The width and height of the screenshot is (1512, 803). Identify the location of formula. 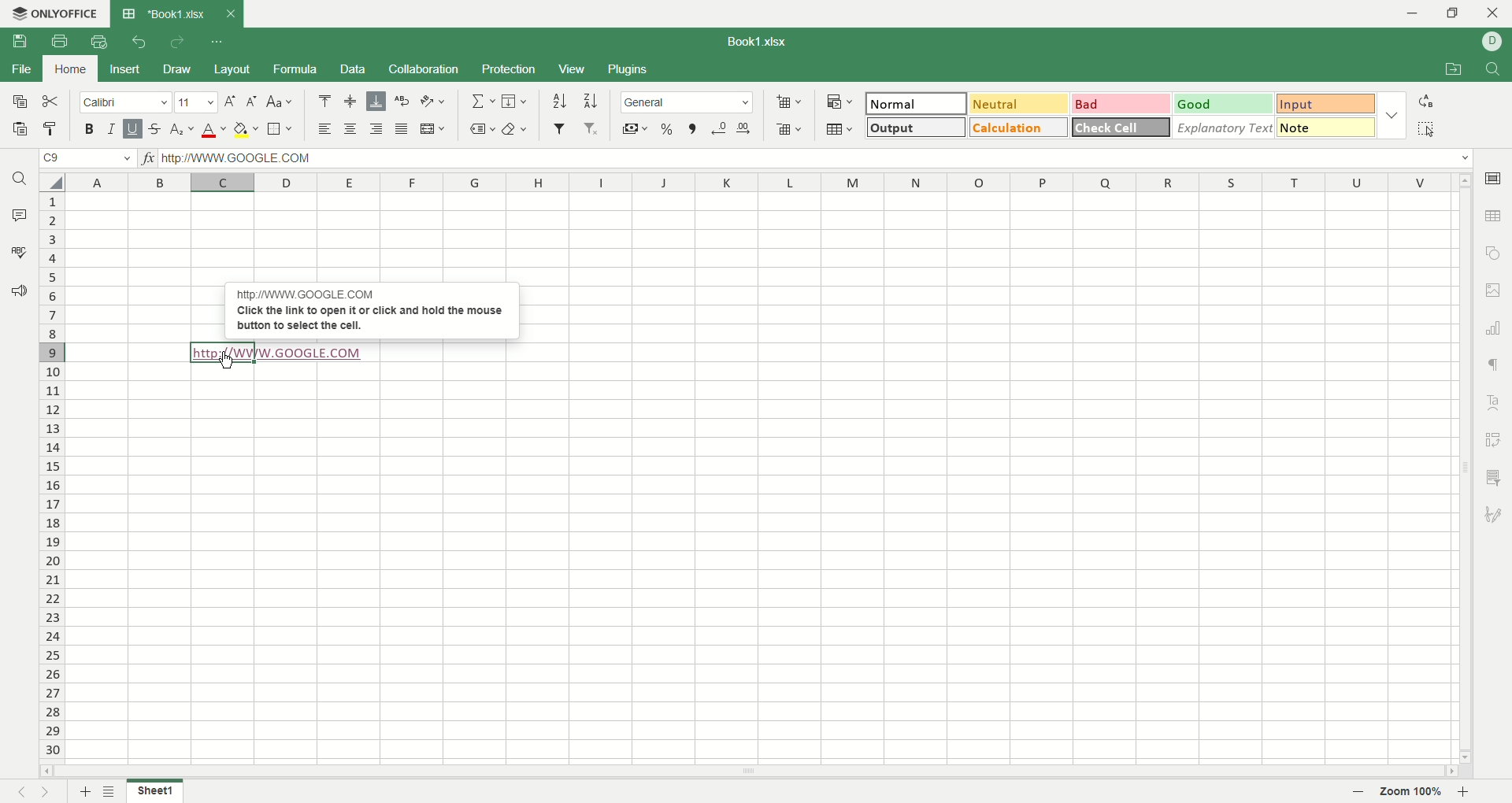
(292, 68).